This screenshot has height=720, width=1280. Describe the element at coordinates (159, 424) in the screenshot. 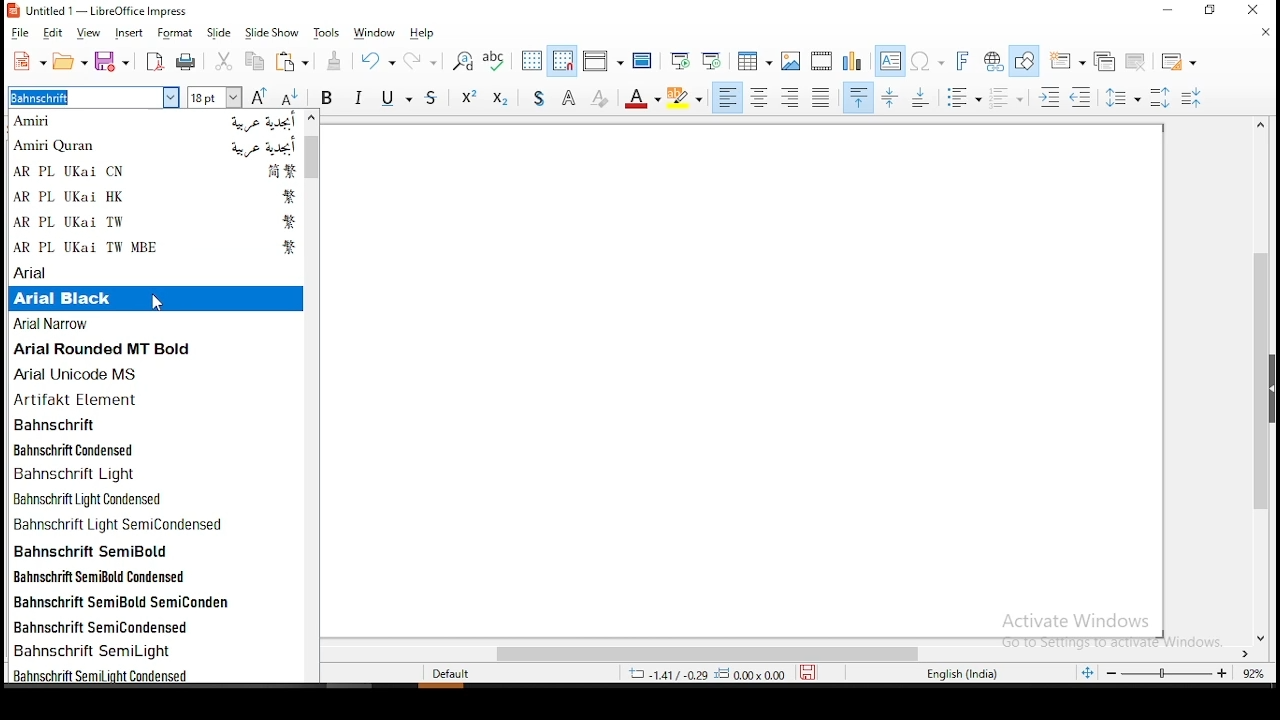

I see `bahnschrift` at that location.